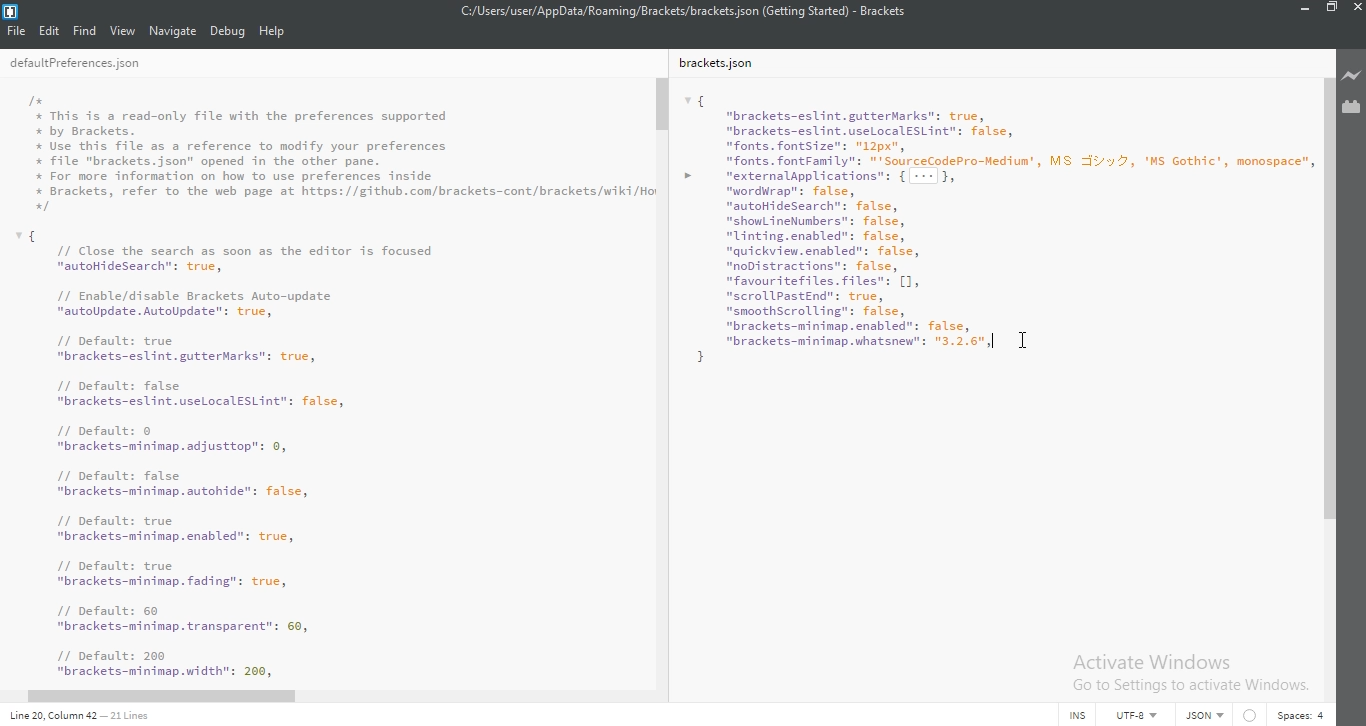  I want to click on scroll bar, so click(1327, 301).